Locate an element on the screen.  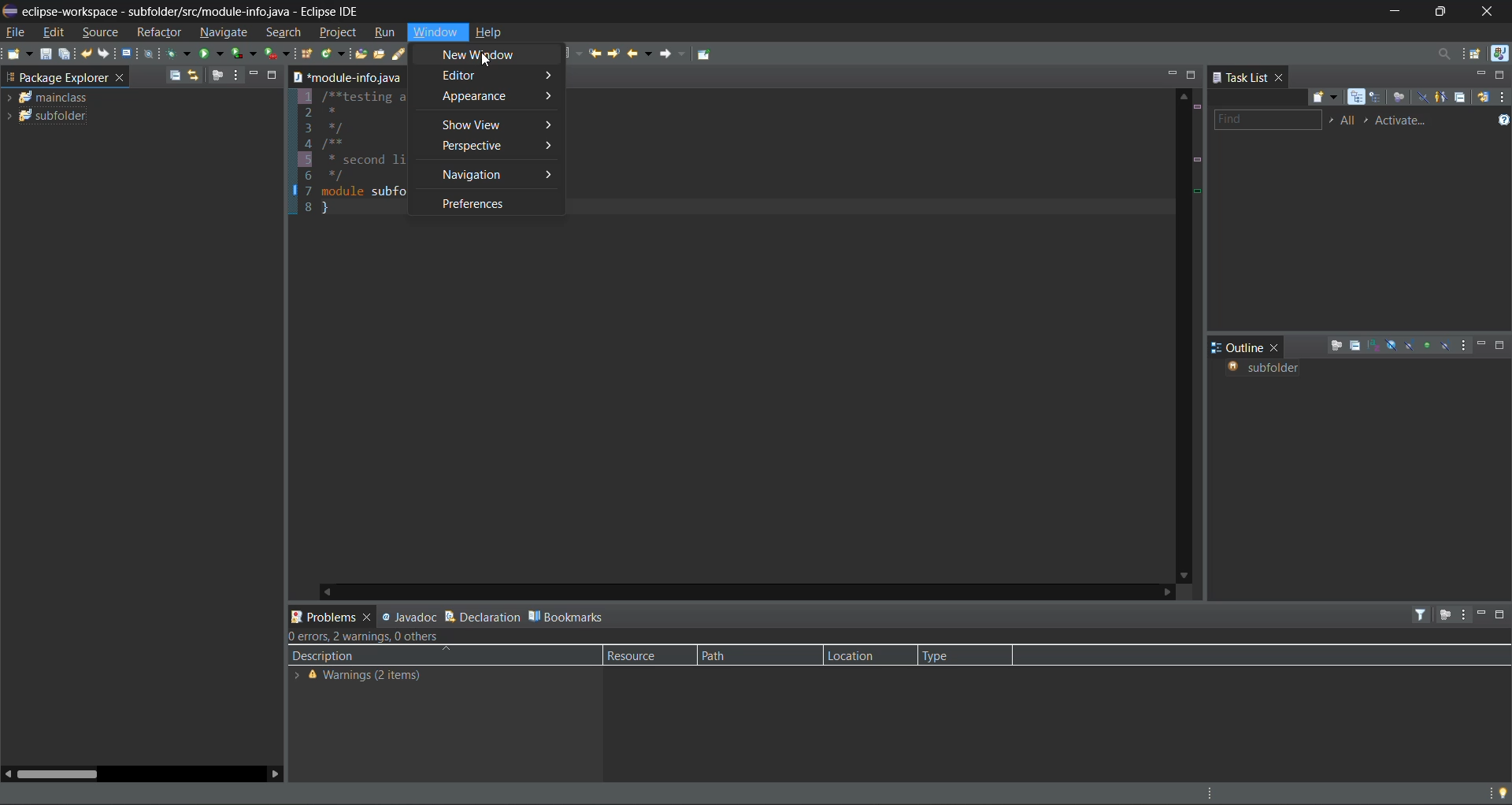
run last tool is located at coordinates (278, 54).